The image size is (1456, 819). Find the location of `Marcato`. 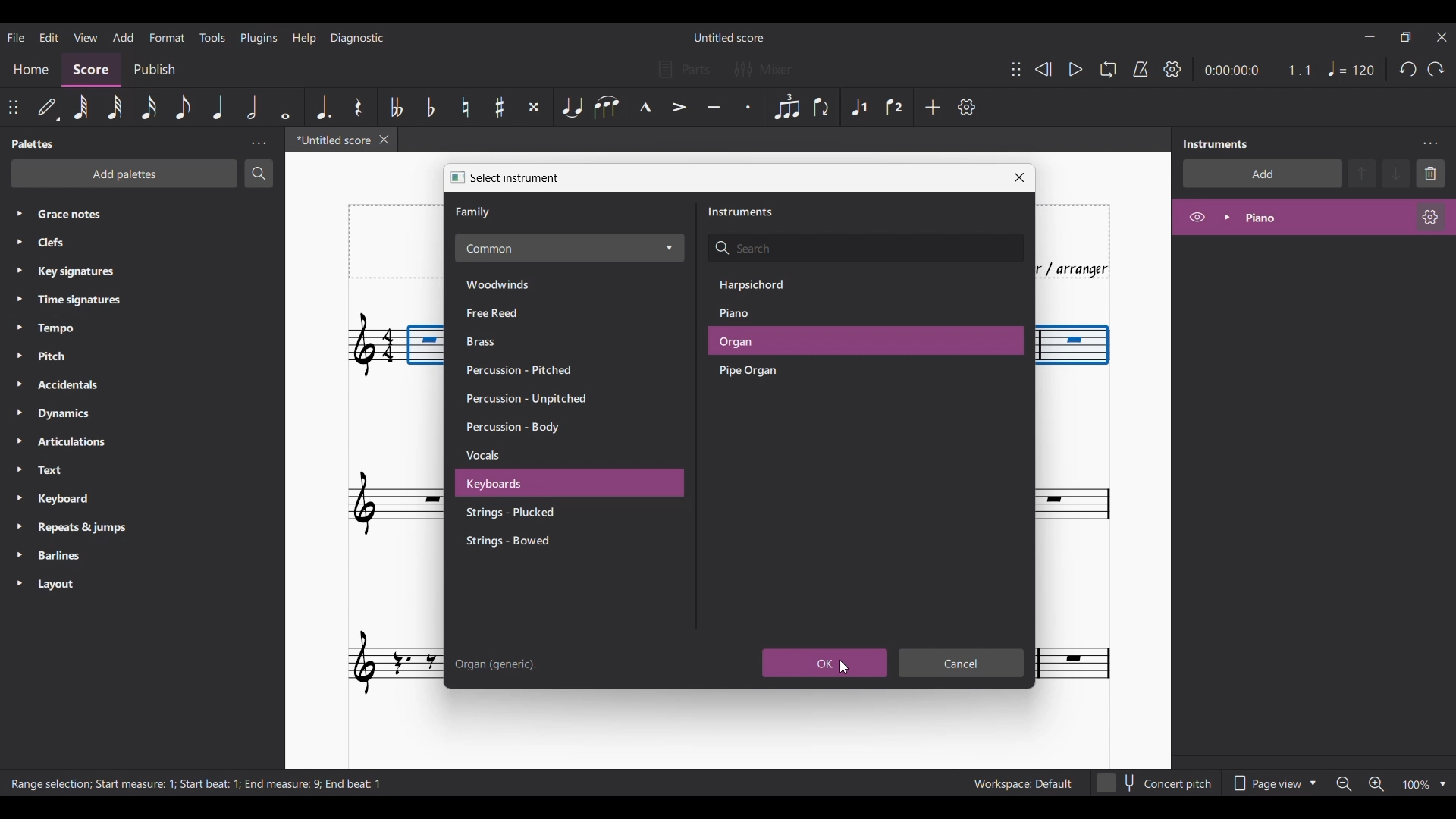

Marcato is located at coordinates (645, 106).